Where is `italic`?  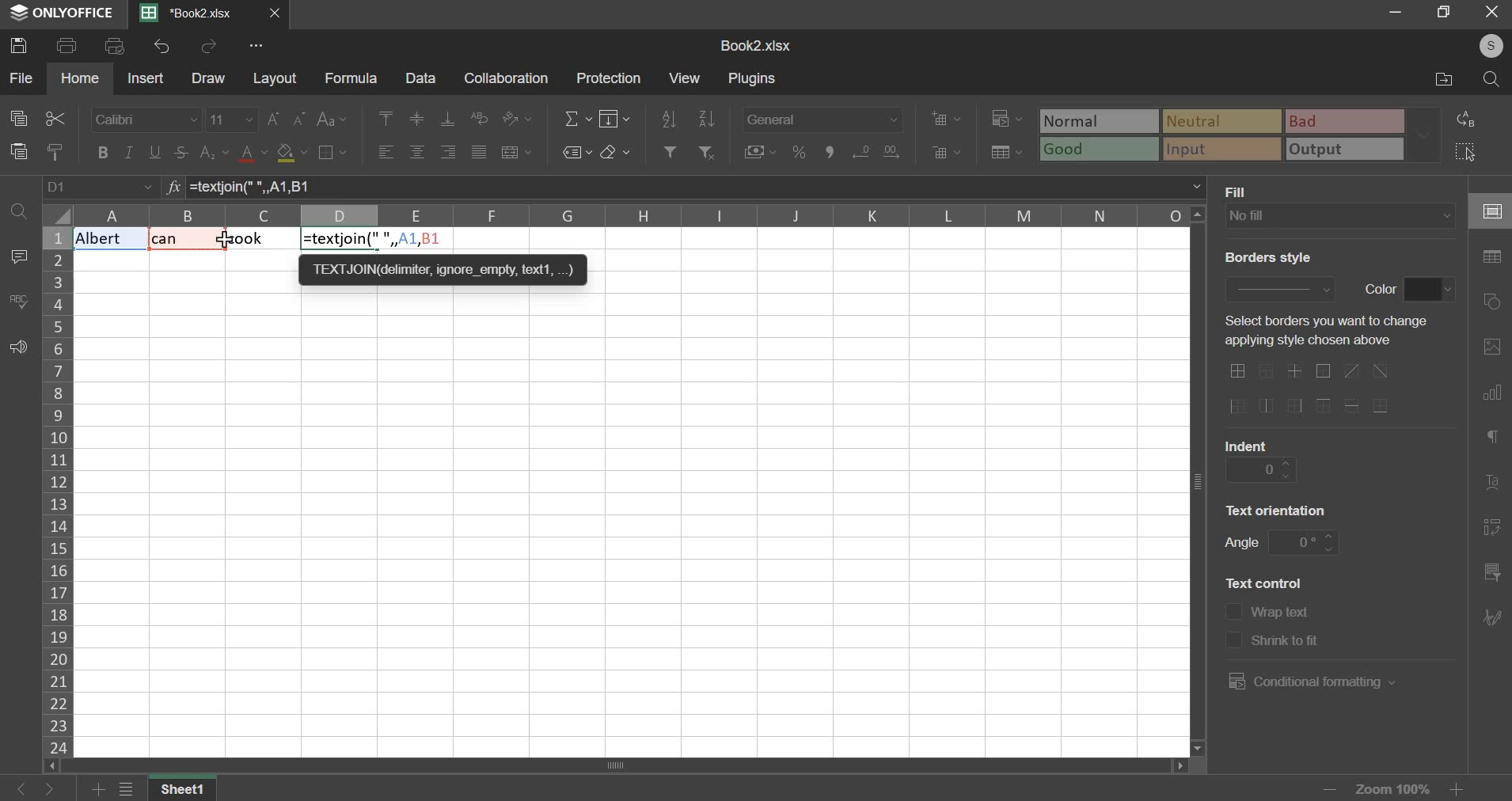 italic is located at coordinates (128, 152).